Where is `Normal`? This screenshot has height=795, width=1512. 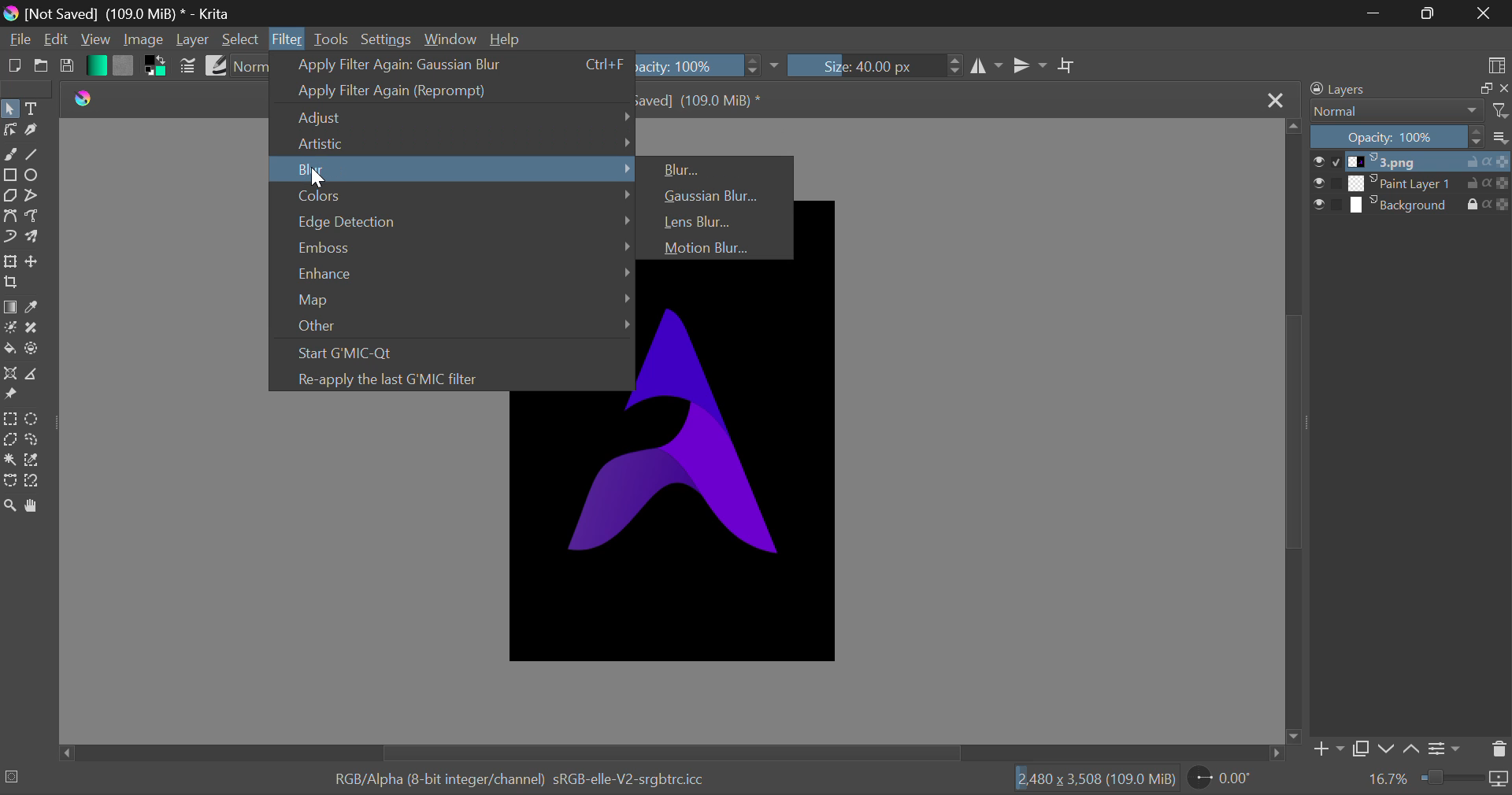
Normal is located at coordinates (1408, 111).